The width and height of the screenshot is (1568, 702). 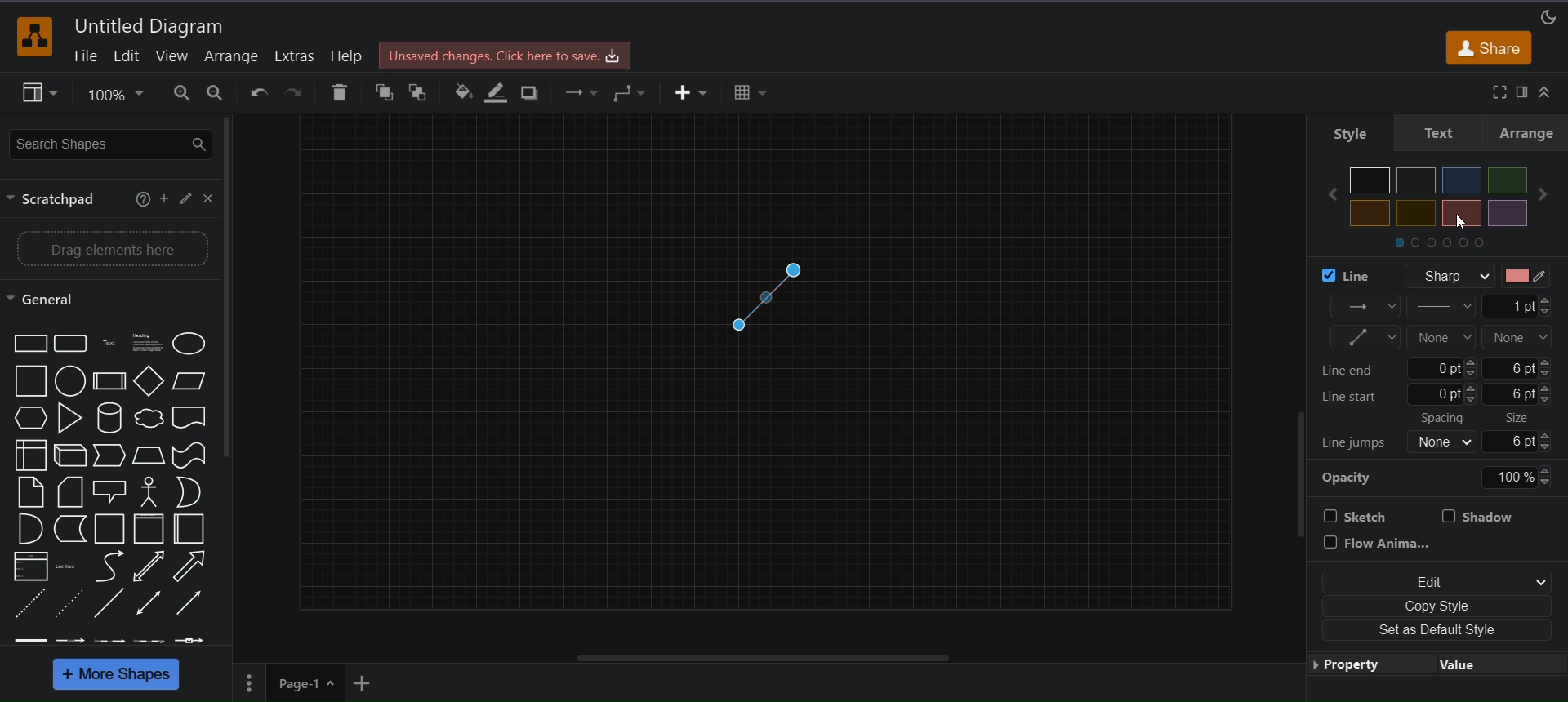 I want to click on add, so click(x=164, y=199).